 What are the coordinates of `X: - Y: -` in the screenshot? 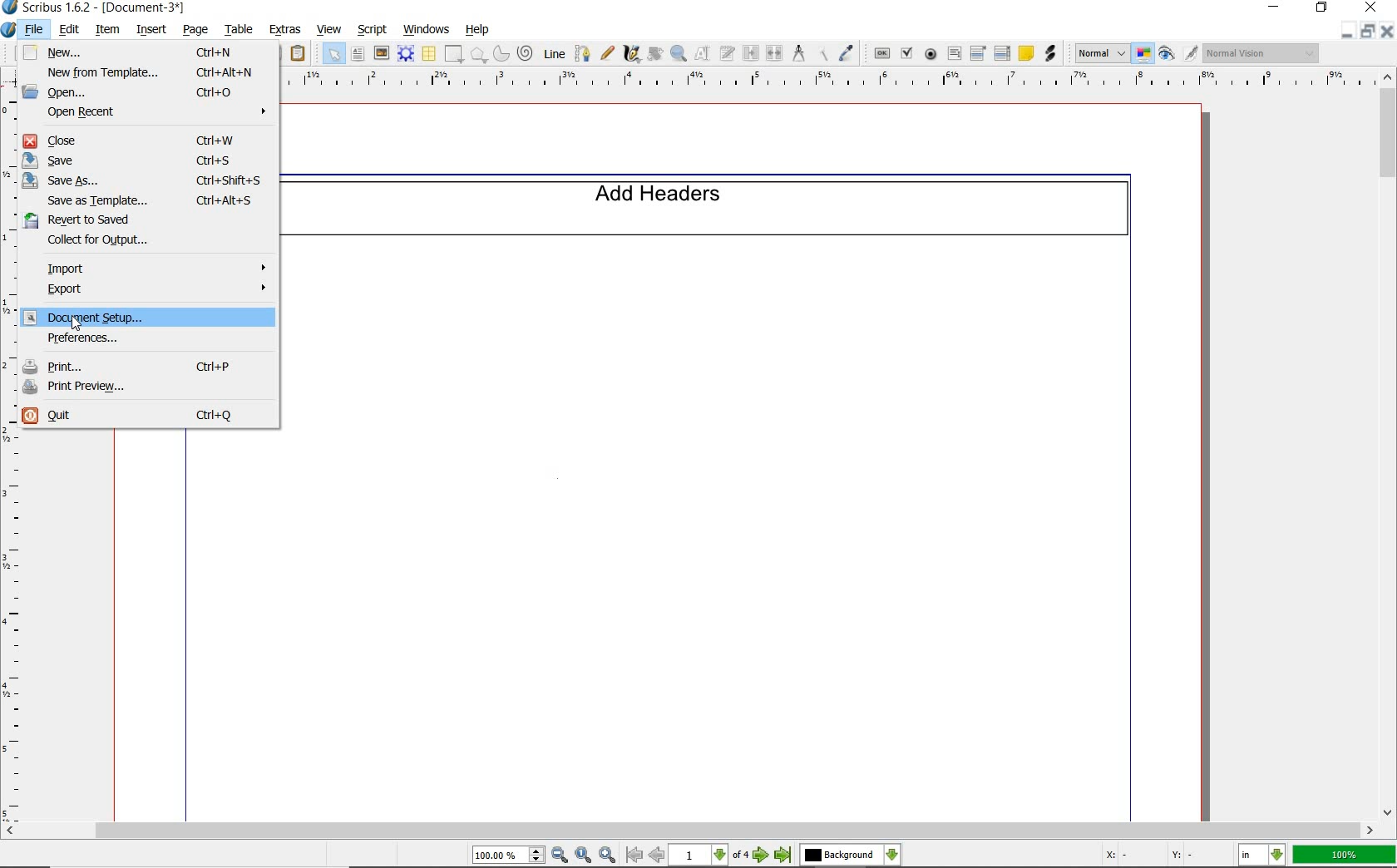 It's located at (1146, 855).